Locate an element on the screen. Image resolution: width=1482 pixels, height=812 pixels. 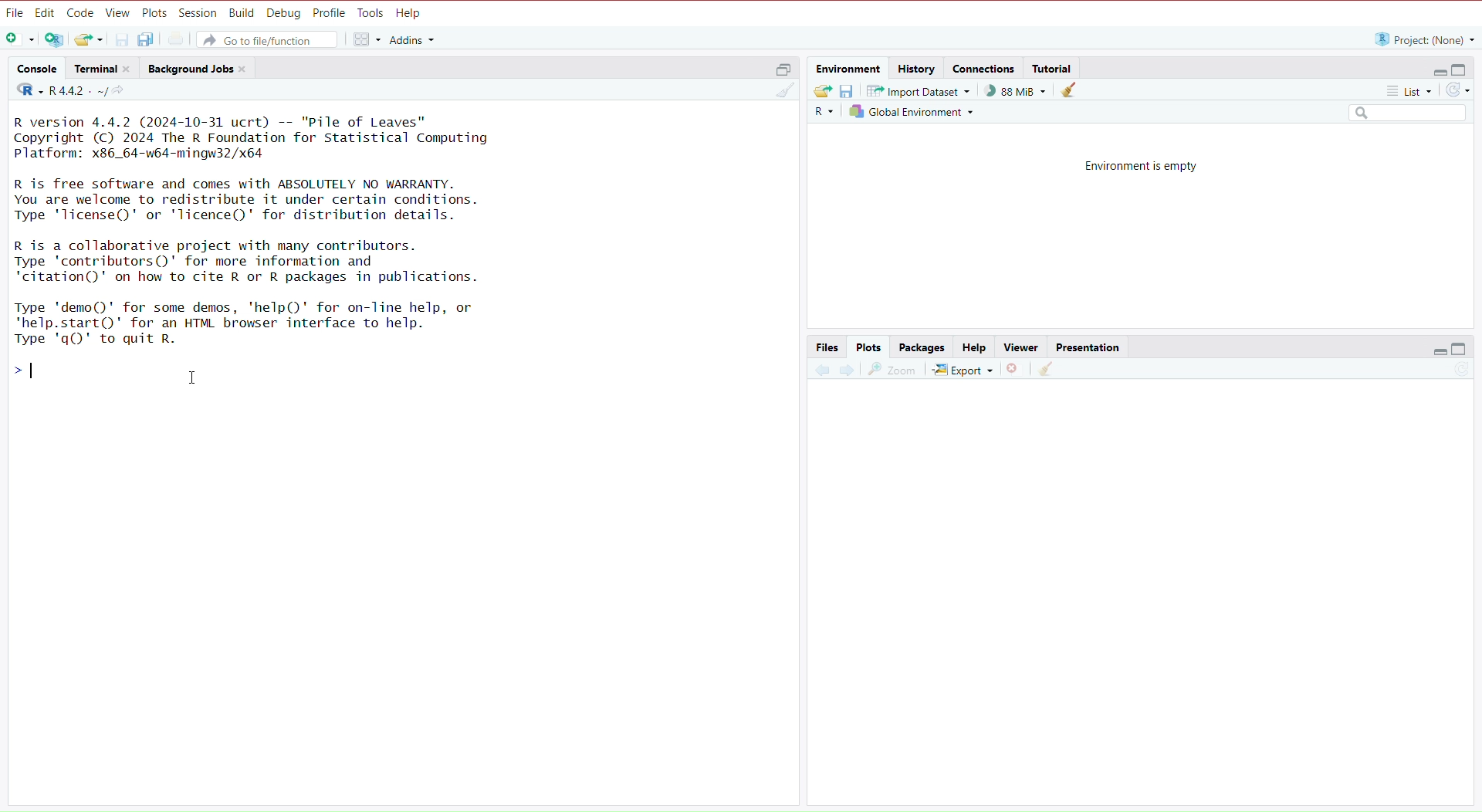
Viewer is located at coordinates (1023, 346).